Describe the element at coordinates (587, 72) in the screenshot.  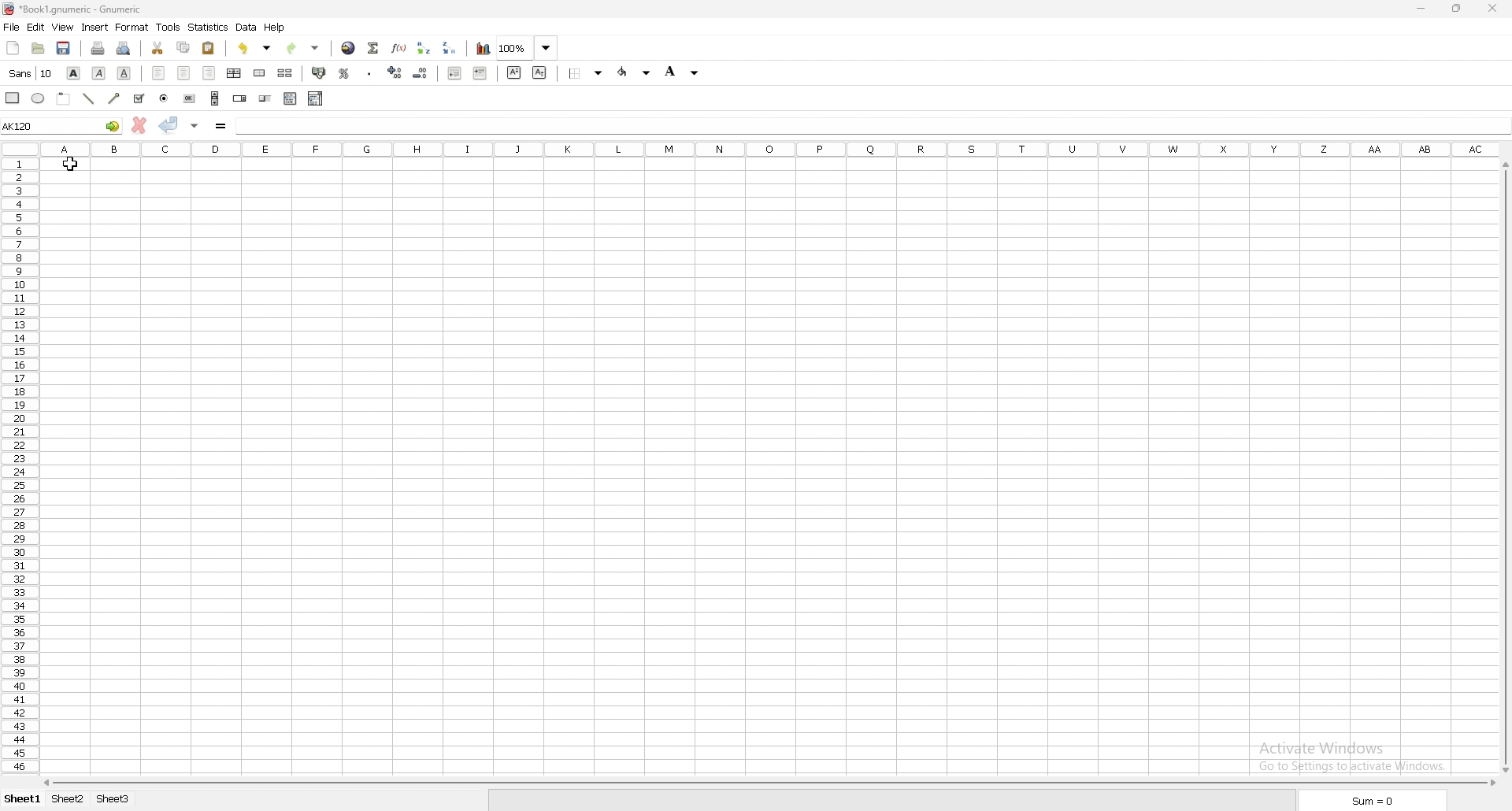
I see `border` at that location.